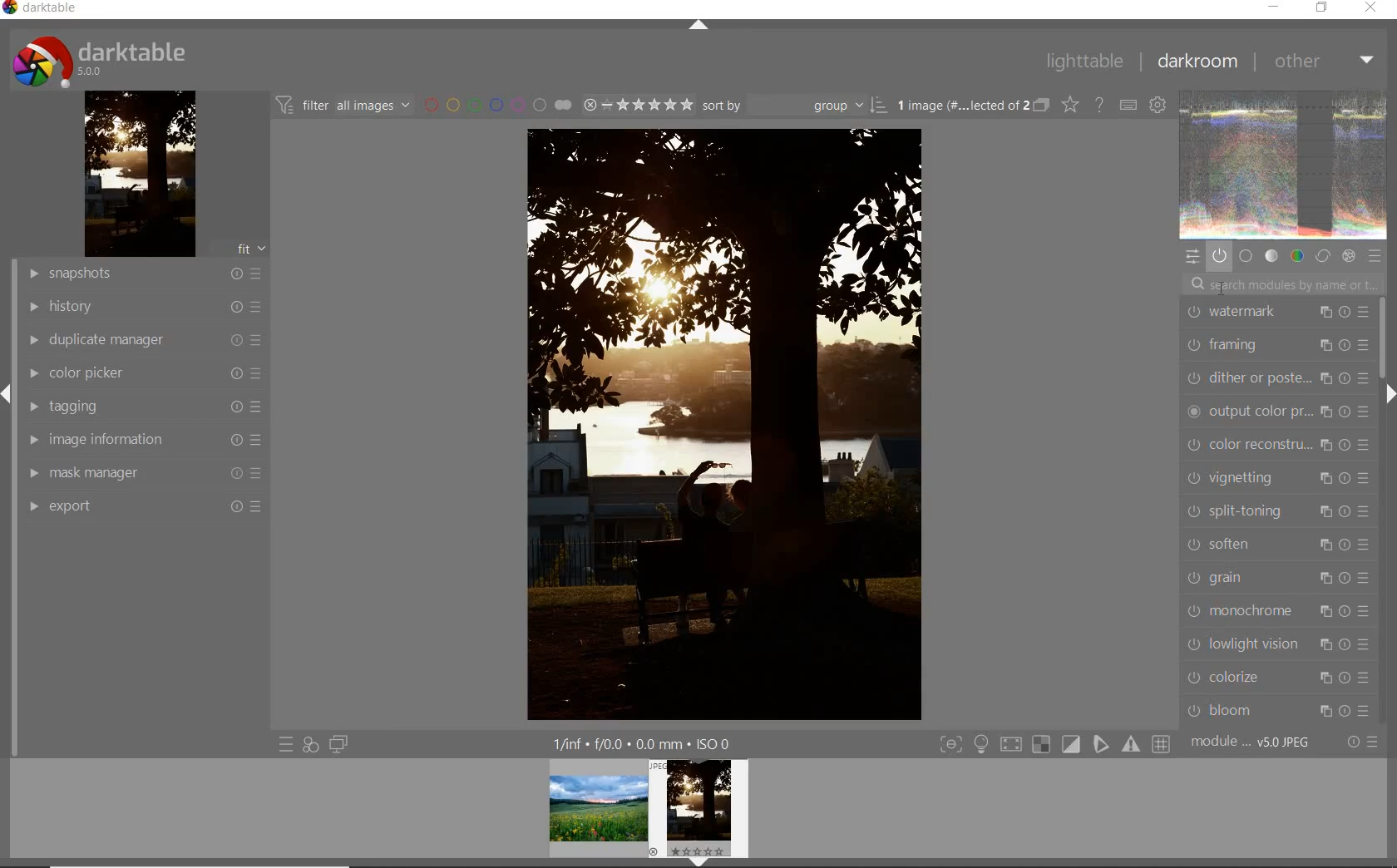 This screenshot has width=1397, height=868. I want to click on dither or paste, so click(1274, 377).